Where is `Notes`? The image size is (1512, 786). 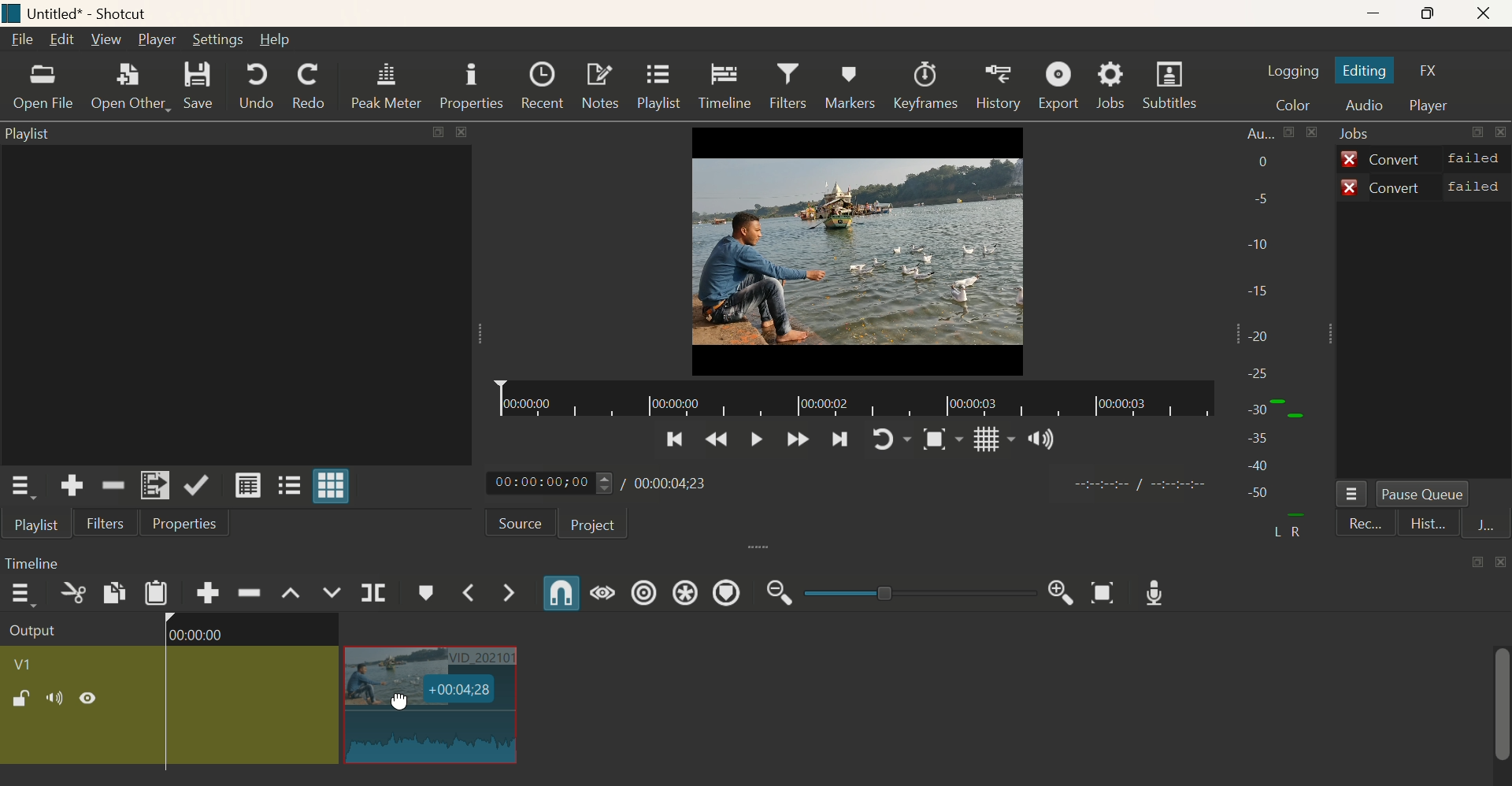
Notes is located at coordinates (598, 87).